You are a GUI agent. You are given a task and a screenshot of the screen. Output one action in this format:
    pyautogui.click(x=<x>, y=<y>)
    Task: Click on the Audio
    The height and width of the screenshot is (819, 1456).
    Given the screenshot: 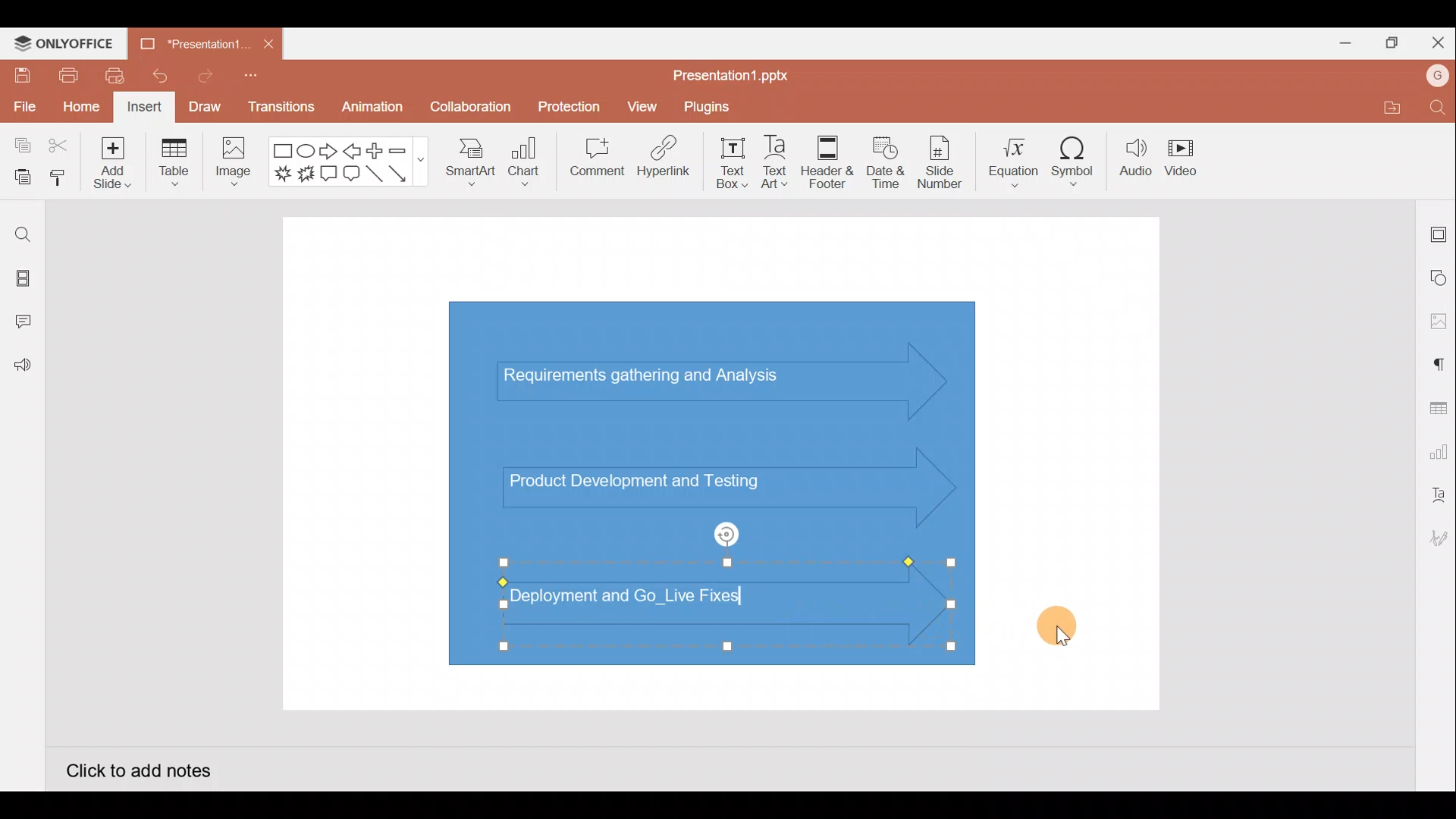 What is the action you would take?
    pyautogui.click(x=1136, y=158)
    